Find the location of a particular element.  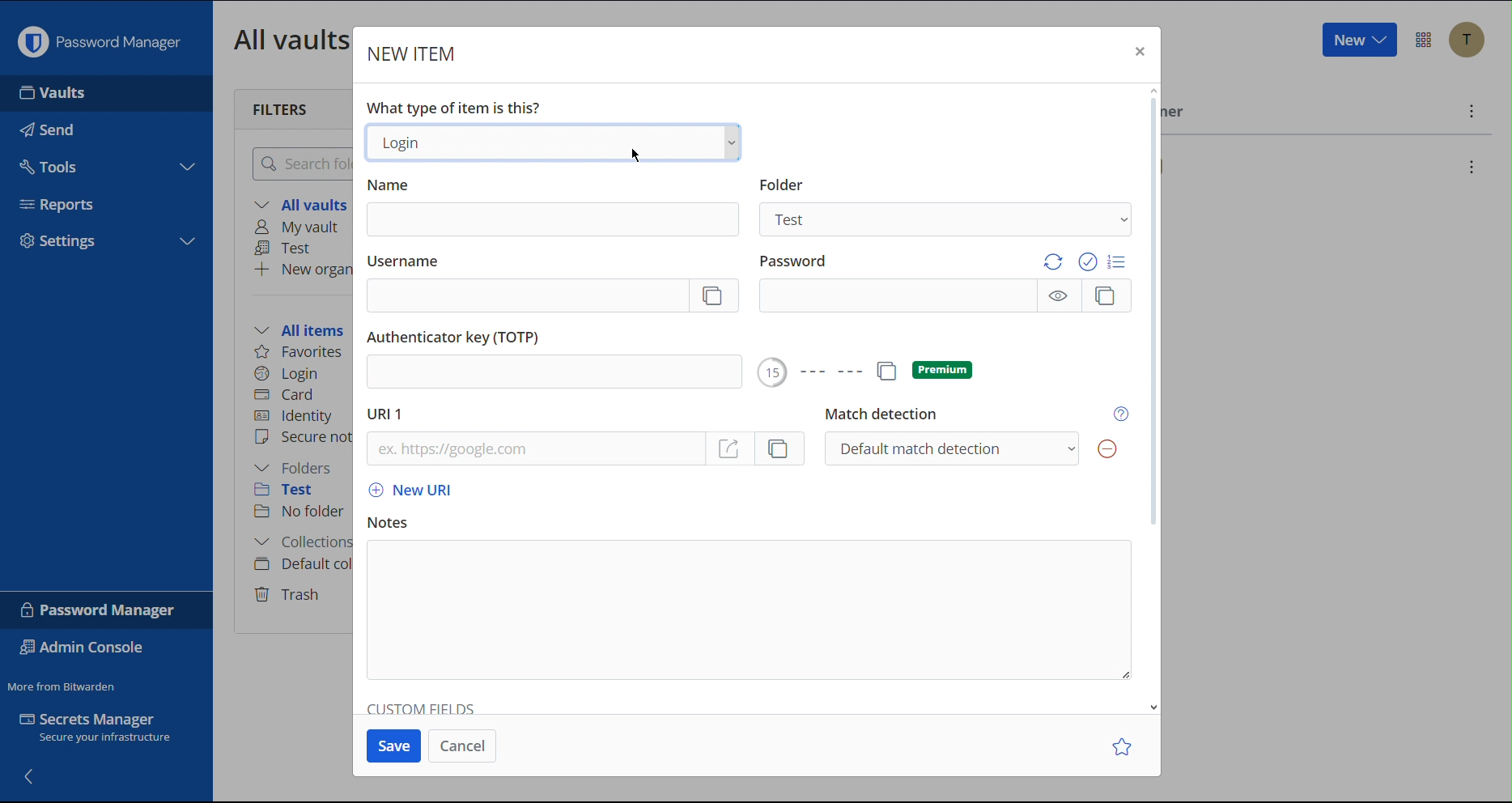

Folders is located at coordinates (297, 468).